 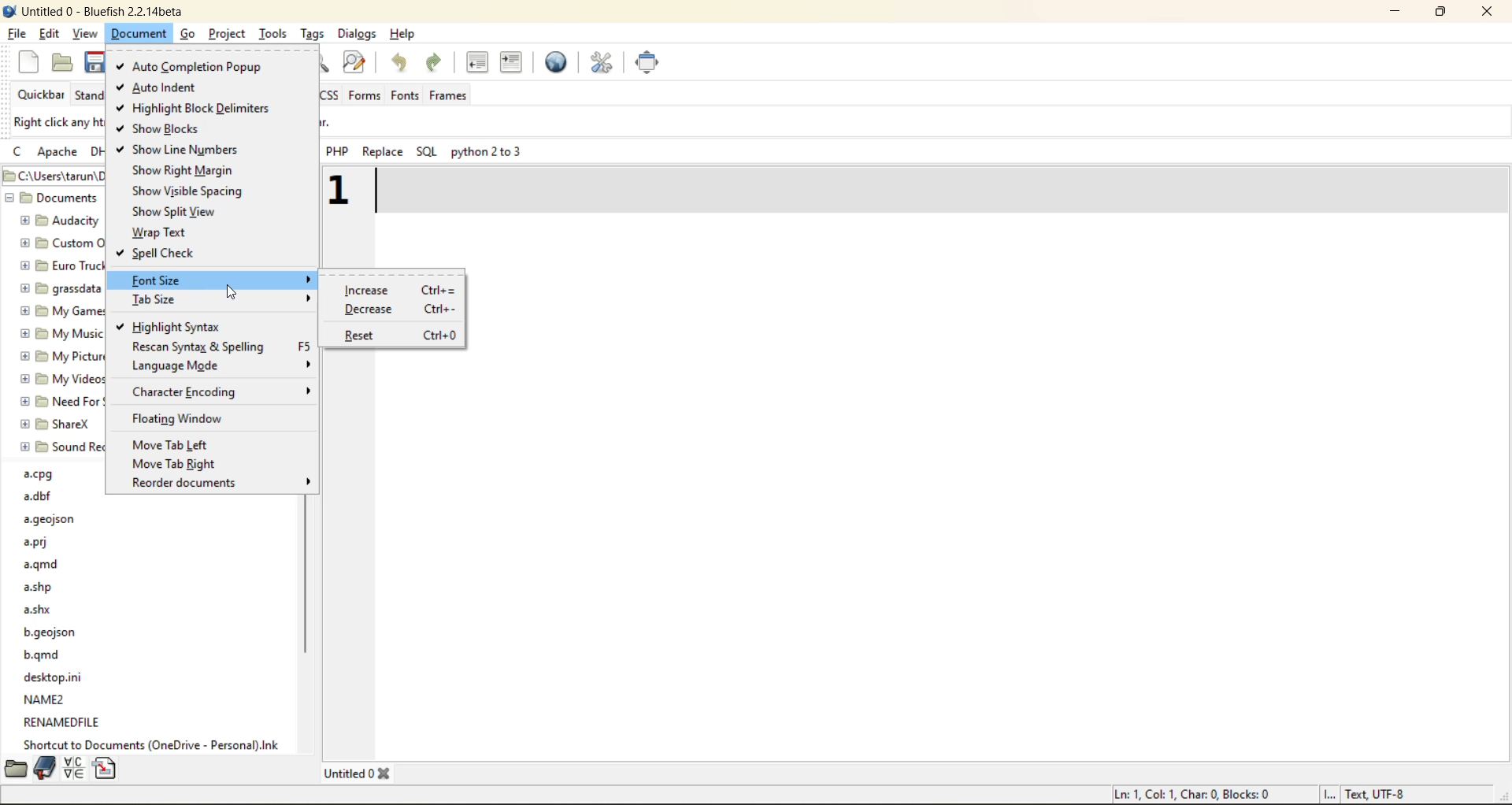 I want to click on bookmarks, so click(x=46, y=768).